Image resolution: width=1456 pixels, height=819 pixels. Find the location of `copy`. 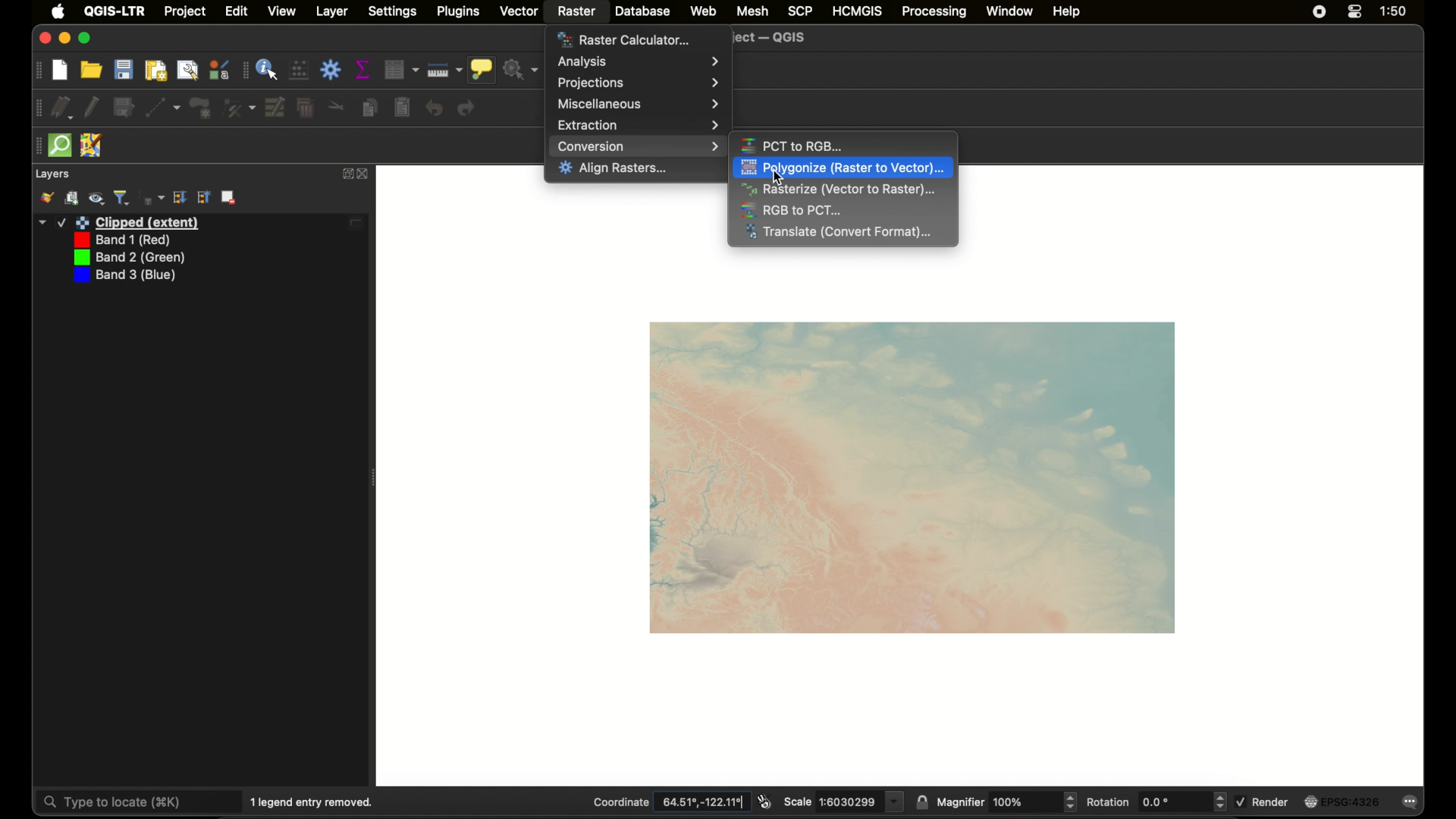

copy is located at coordinates (370, 108).